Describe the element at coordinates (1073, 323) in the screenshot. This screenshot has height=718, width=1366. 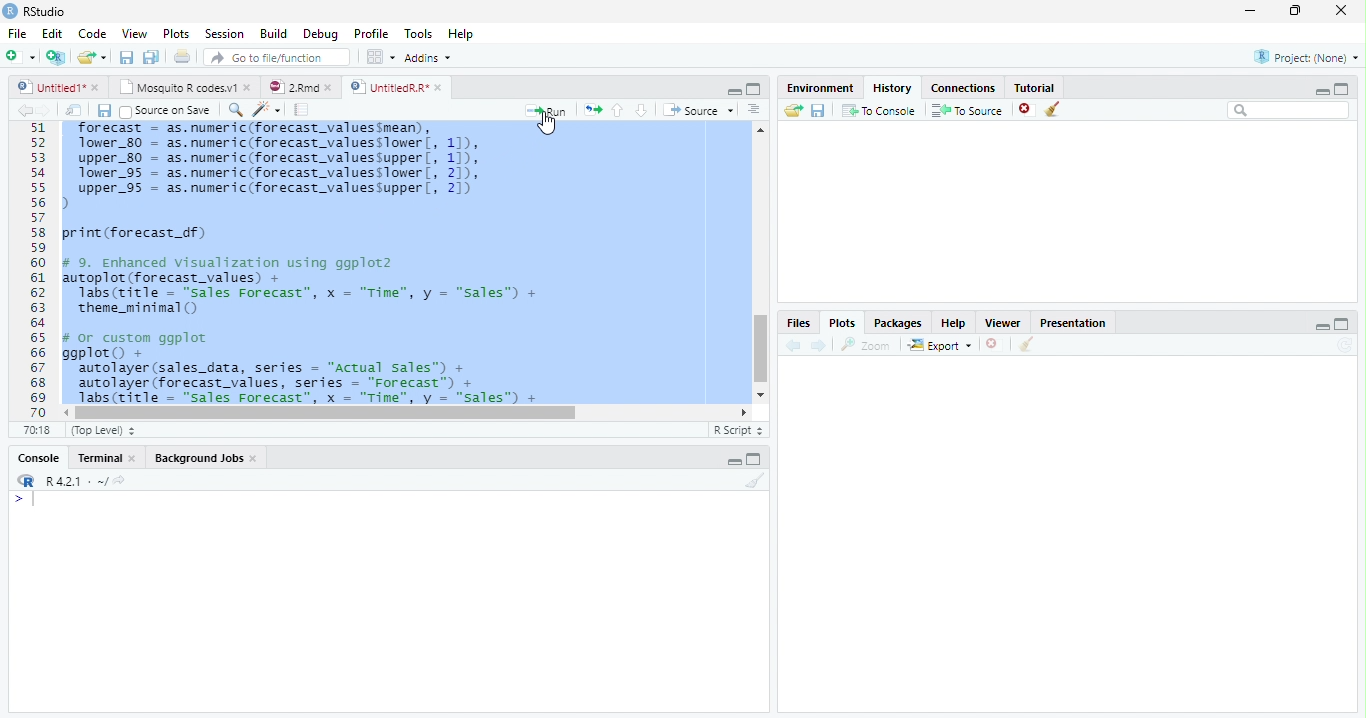
I see `Presentation` at that location.